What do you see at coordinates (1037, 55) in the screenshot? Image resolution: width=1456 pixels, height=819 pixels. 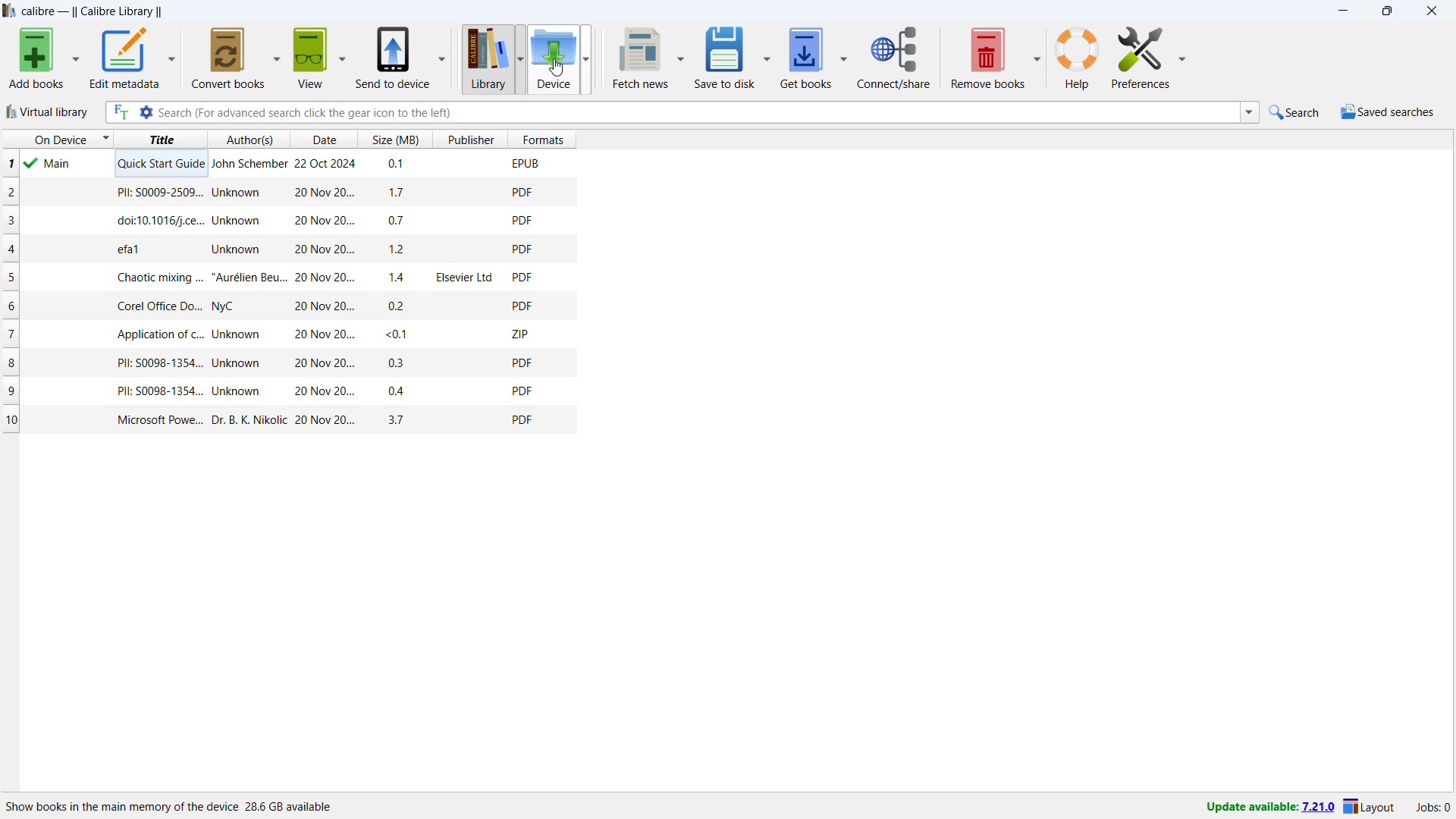 I see `remove books options` at bounding box center [1037, 55].